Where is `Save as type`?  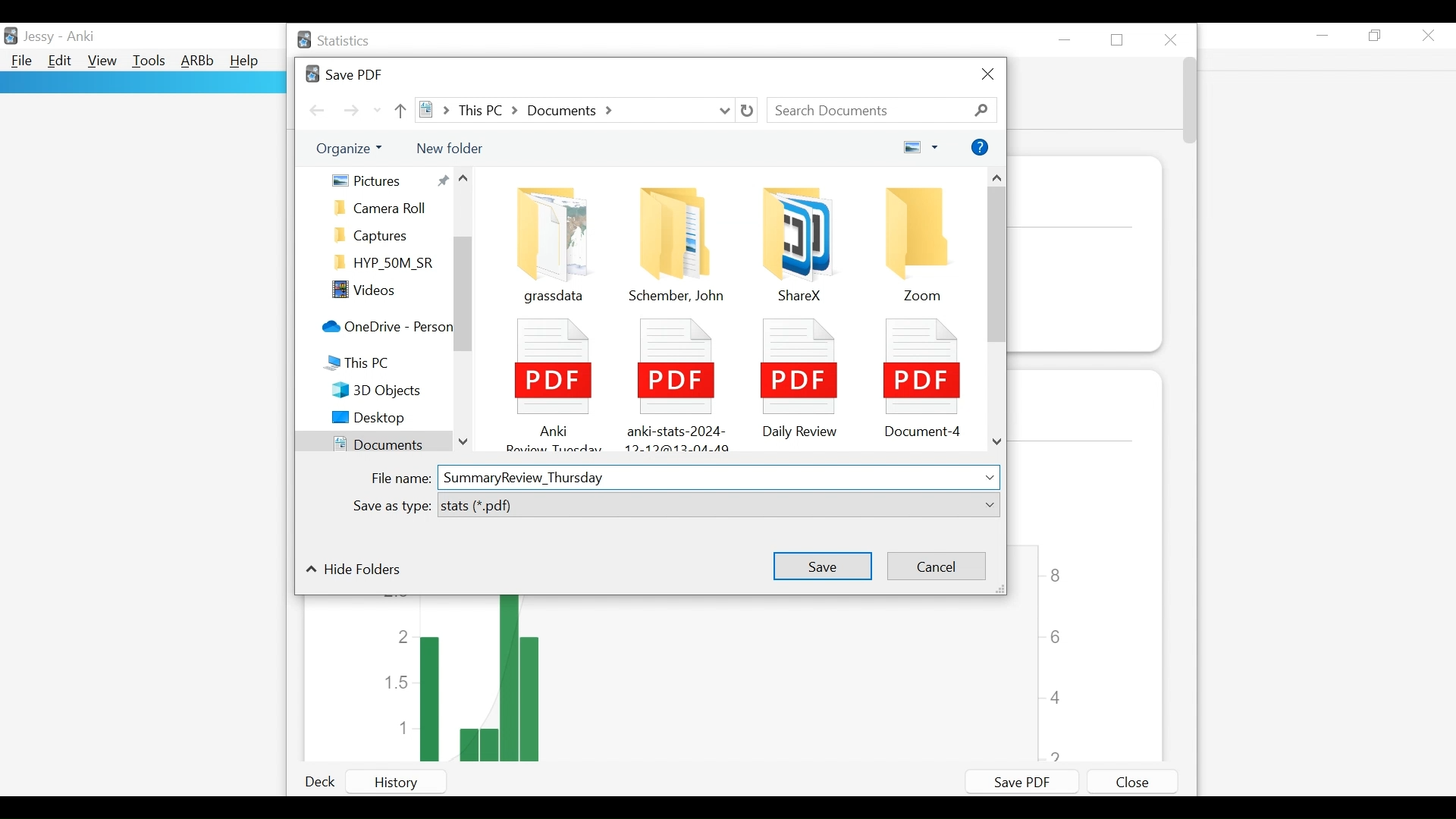
Save as type is located at coordinates (390, 507).